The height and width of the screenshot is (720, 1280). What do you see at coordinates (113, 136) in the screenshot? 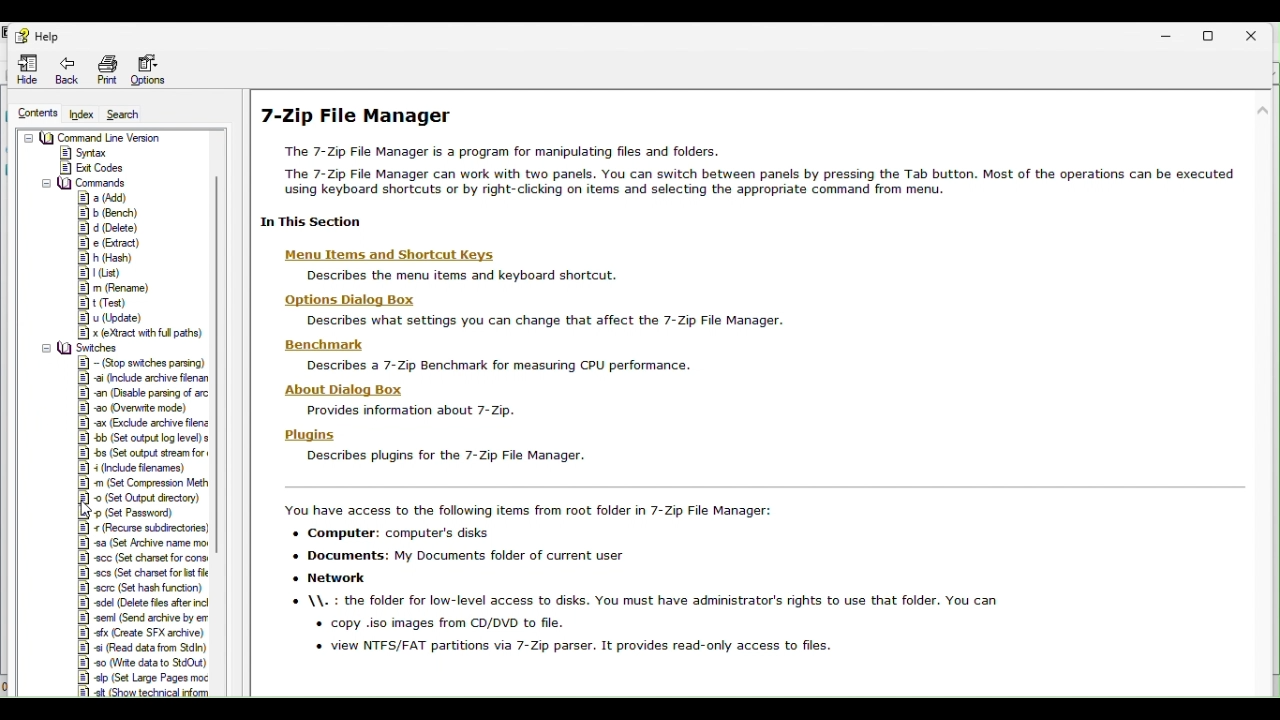
I see `7 zip start page` at bounding box center [113, 136].